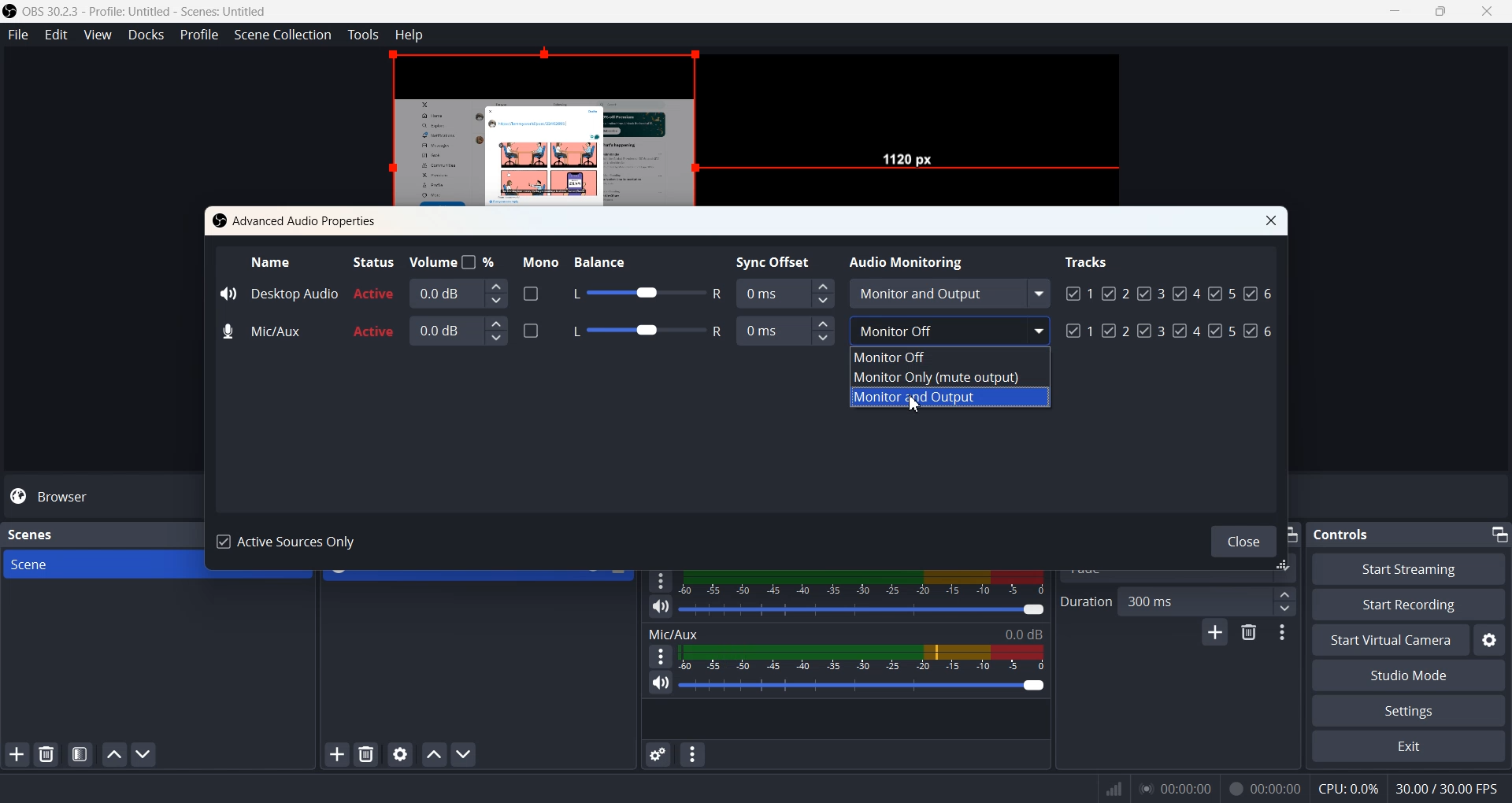 This screenshot has height=803, width=1512. Describe the element at coordinates (465, 755) in the screenshot. I see `Move sources down` at that location.